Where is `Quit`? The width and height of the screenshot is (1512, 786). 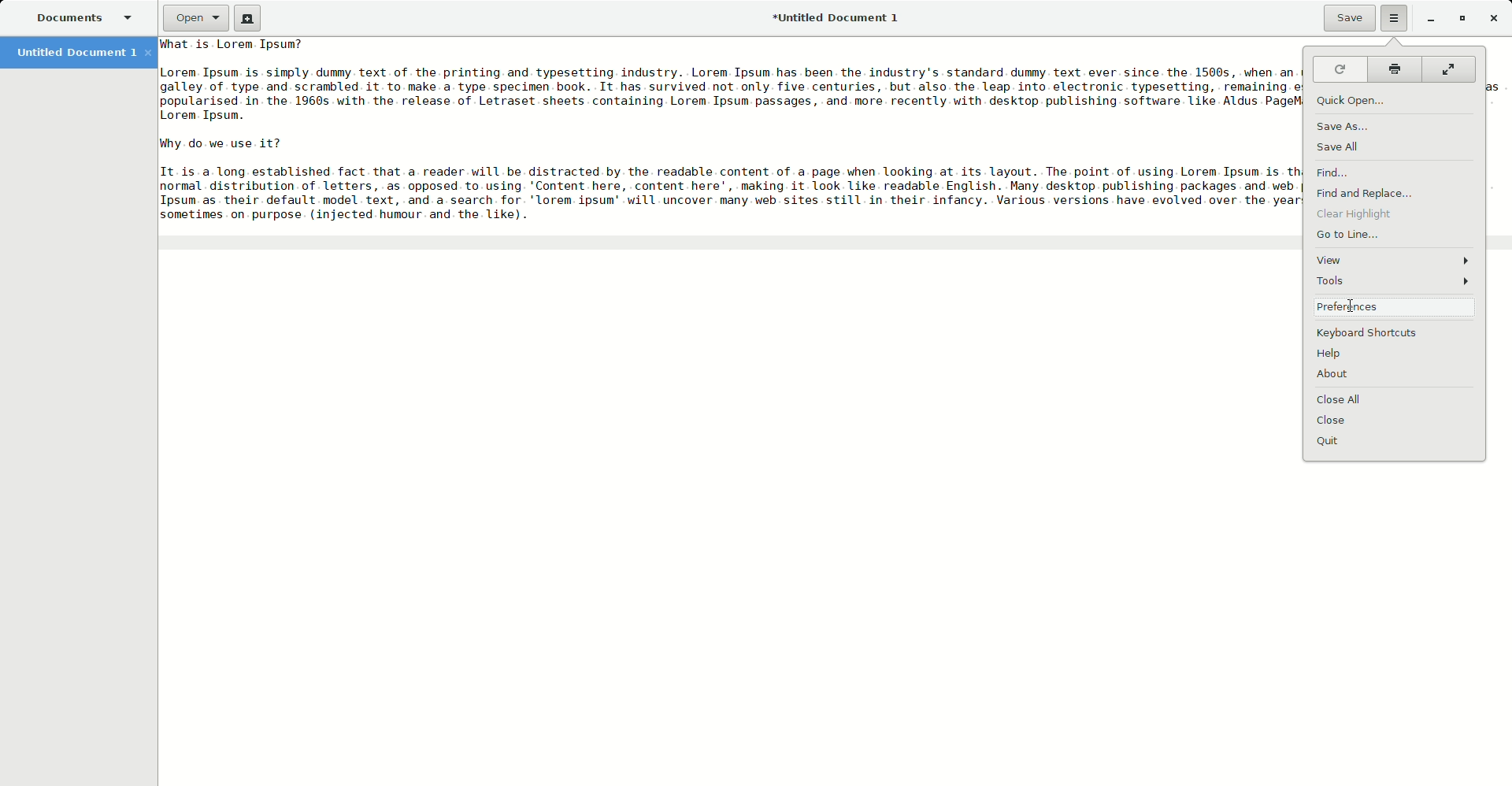
Quit is located at coordinates (1333, 441).